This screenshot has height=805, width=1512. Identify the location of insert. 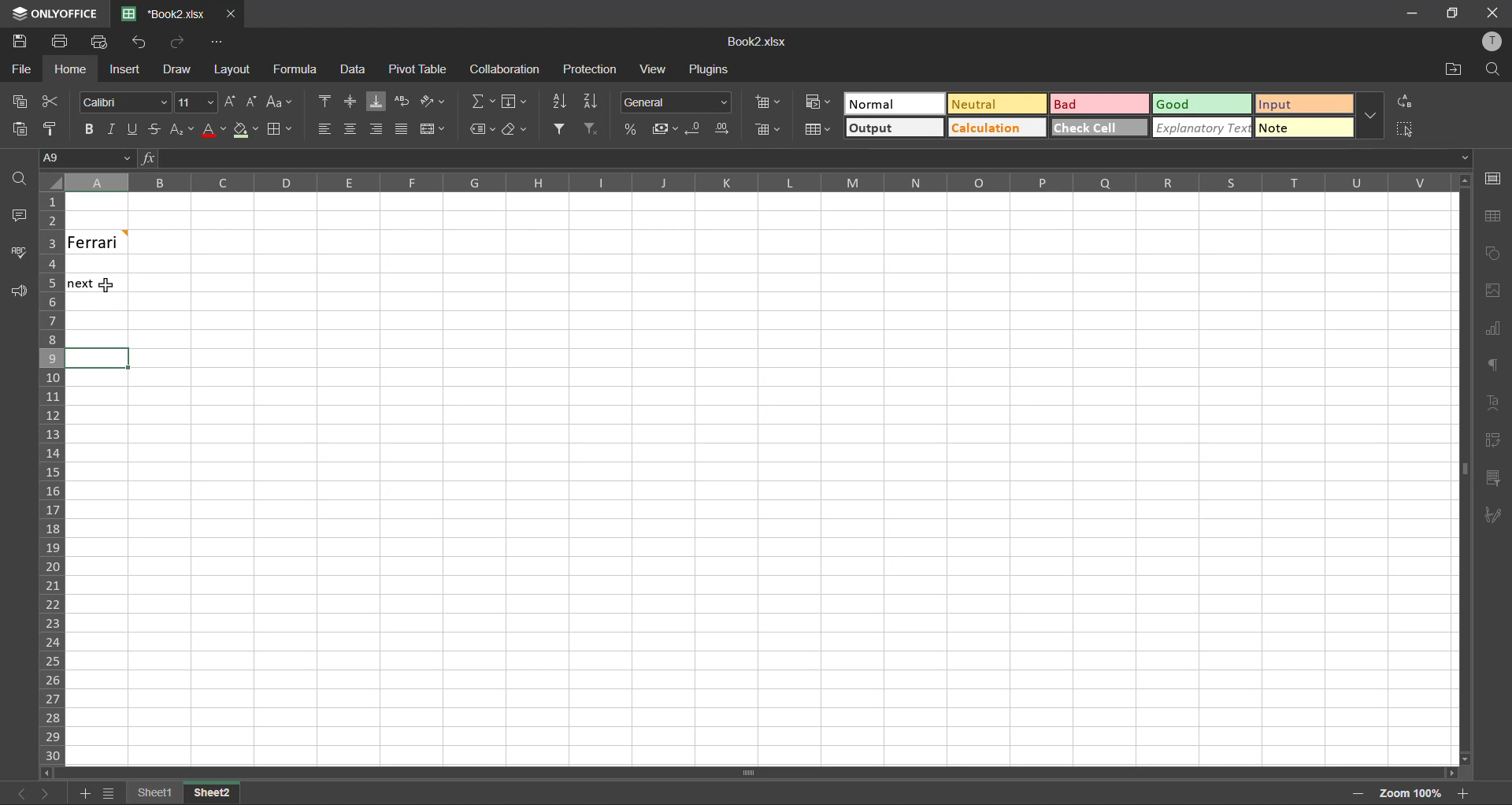
(122, 69).